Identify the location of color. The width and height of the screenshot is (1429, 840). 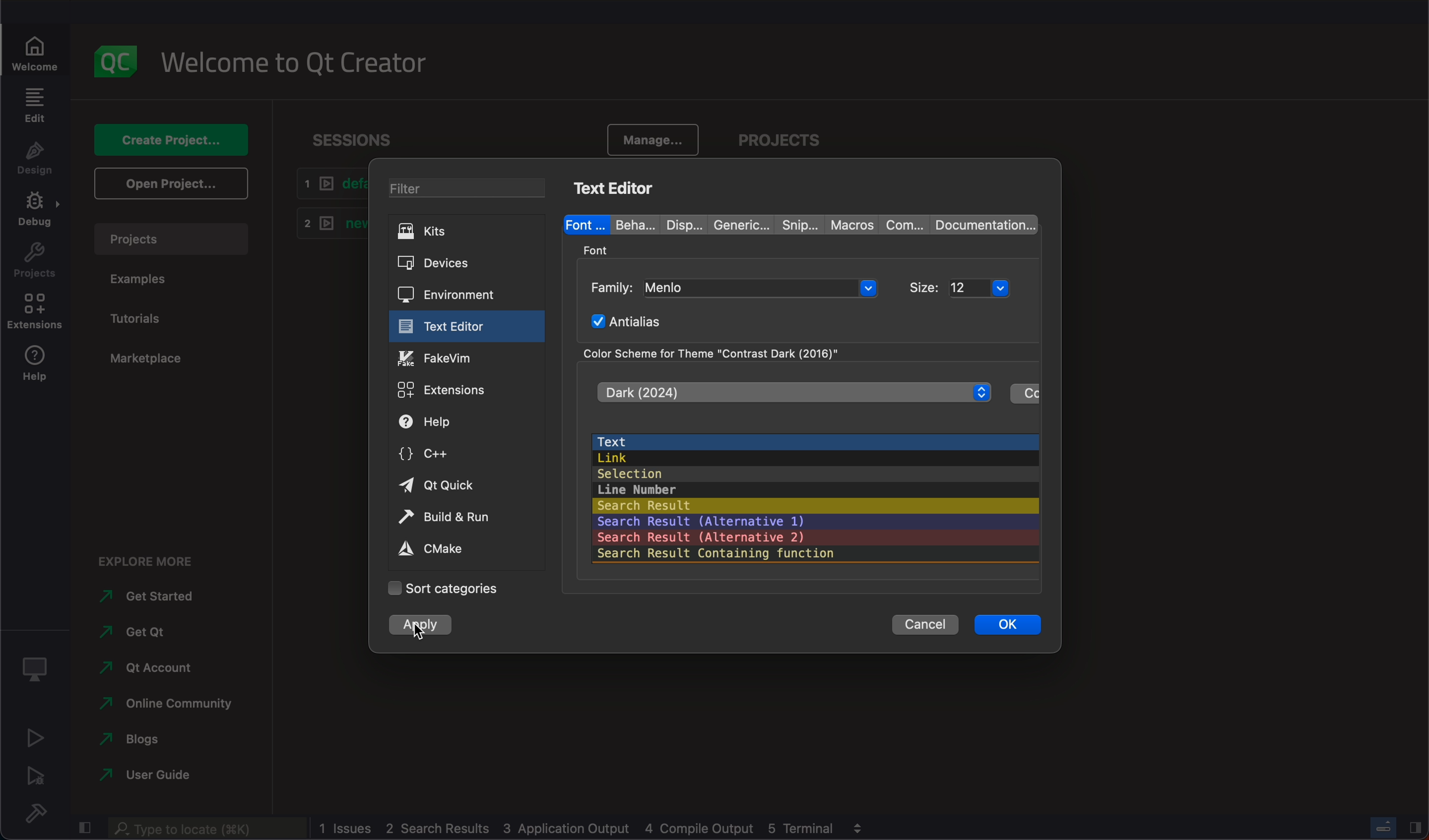
(1025, 394).